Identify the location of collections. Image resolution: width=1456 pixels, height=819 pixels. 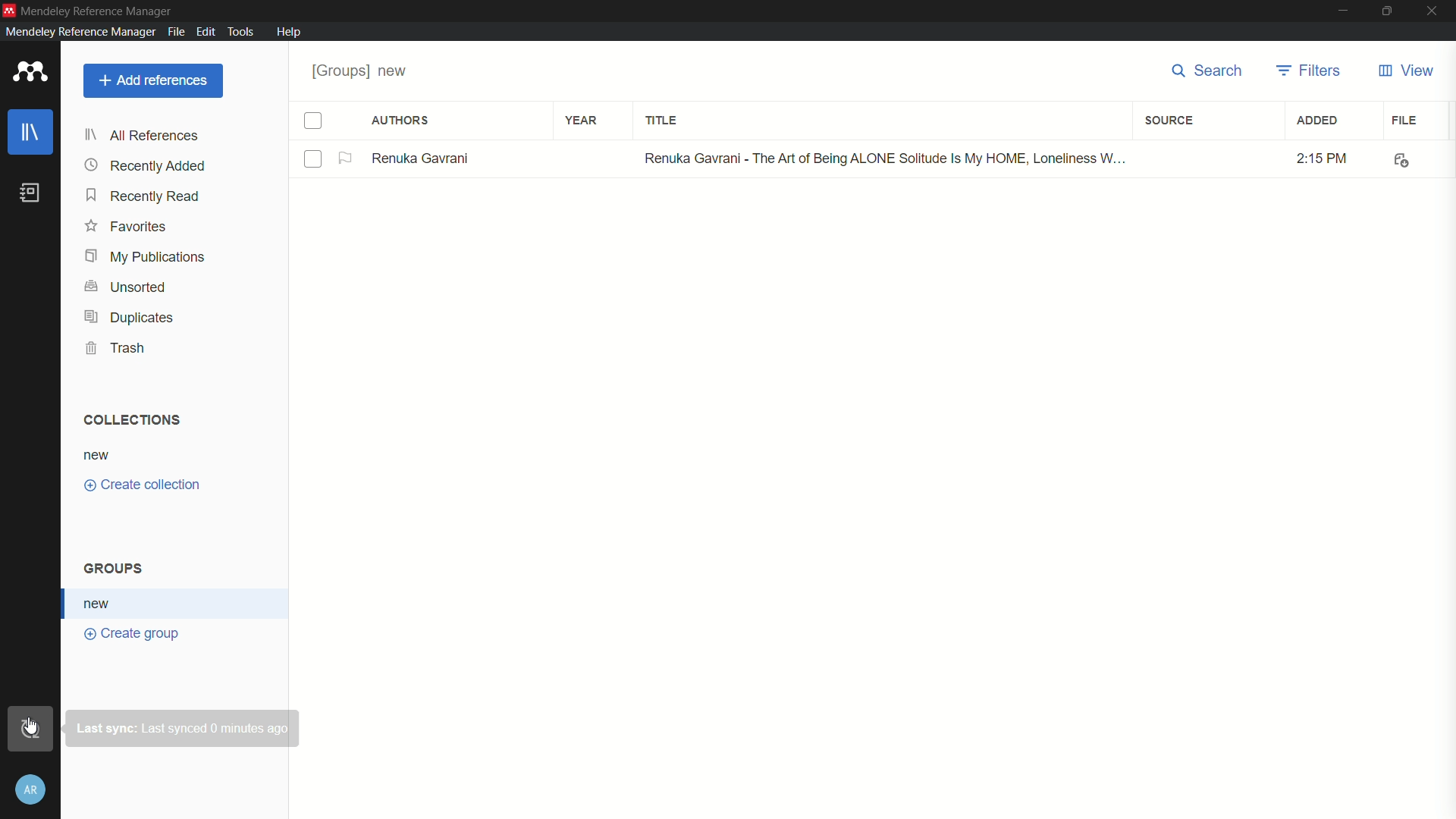
(133, 421).